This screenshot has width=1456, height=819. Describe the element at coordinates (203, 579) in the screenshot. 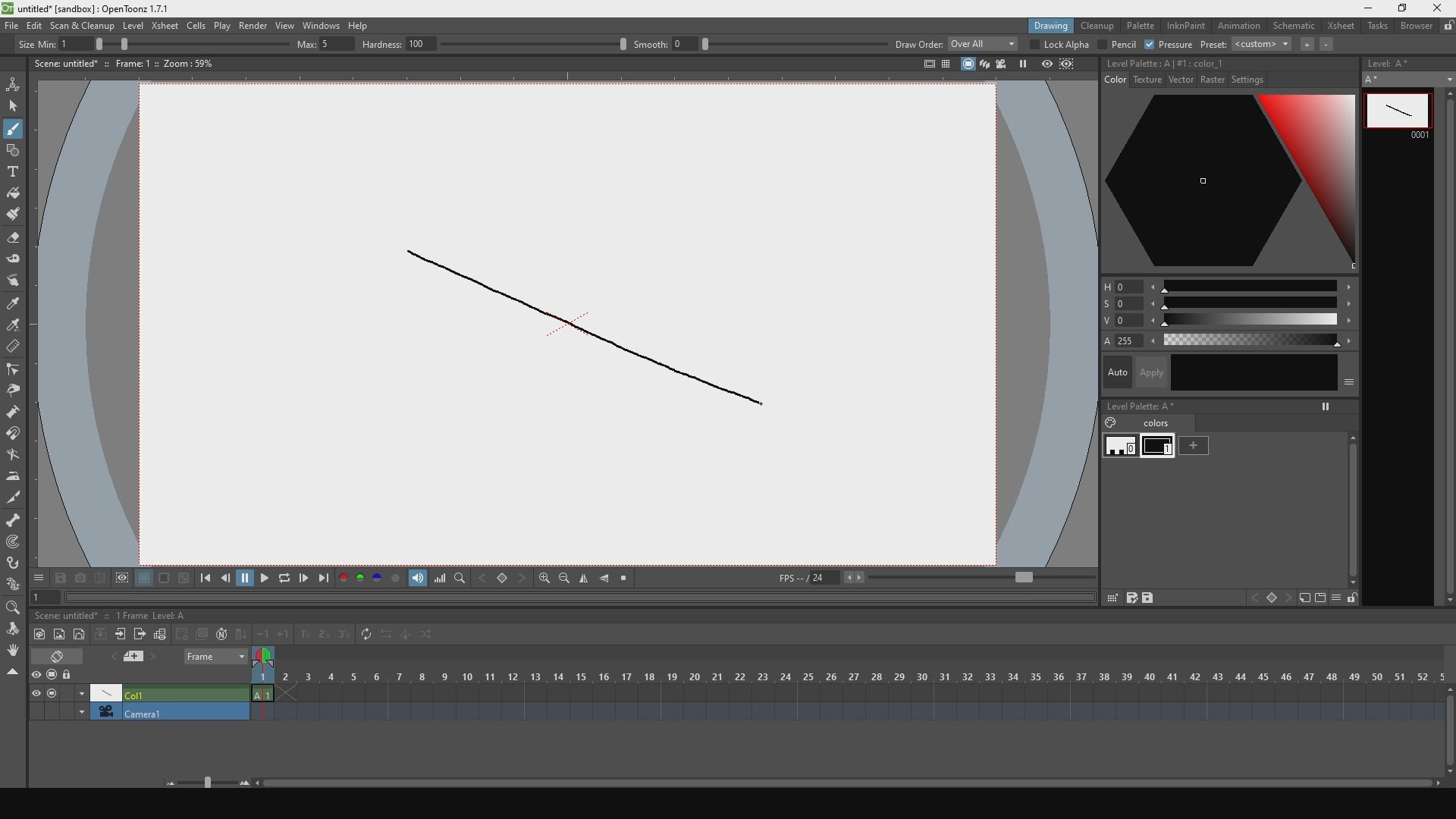

I see `skip to the previous point` at that location.